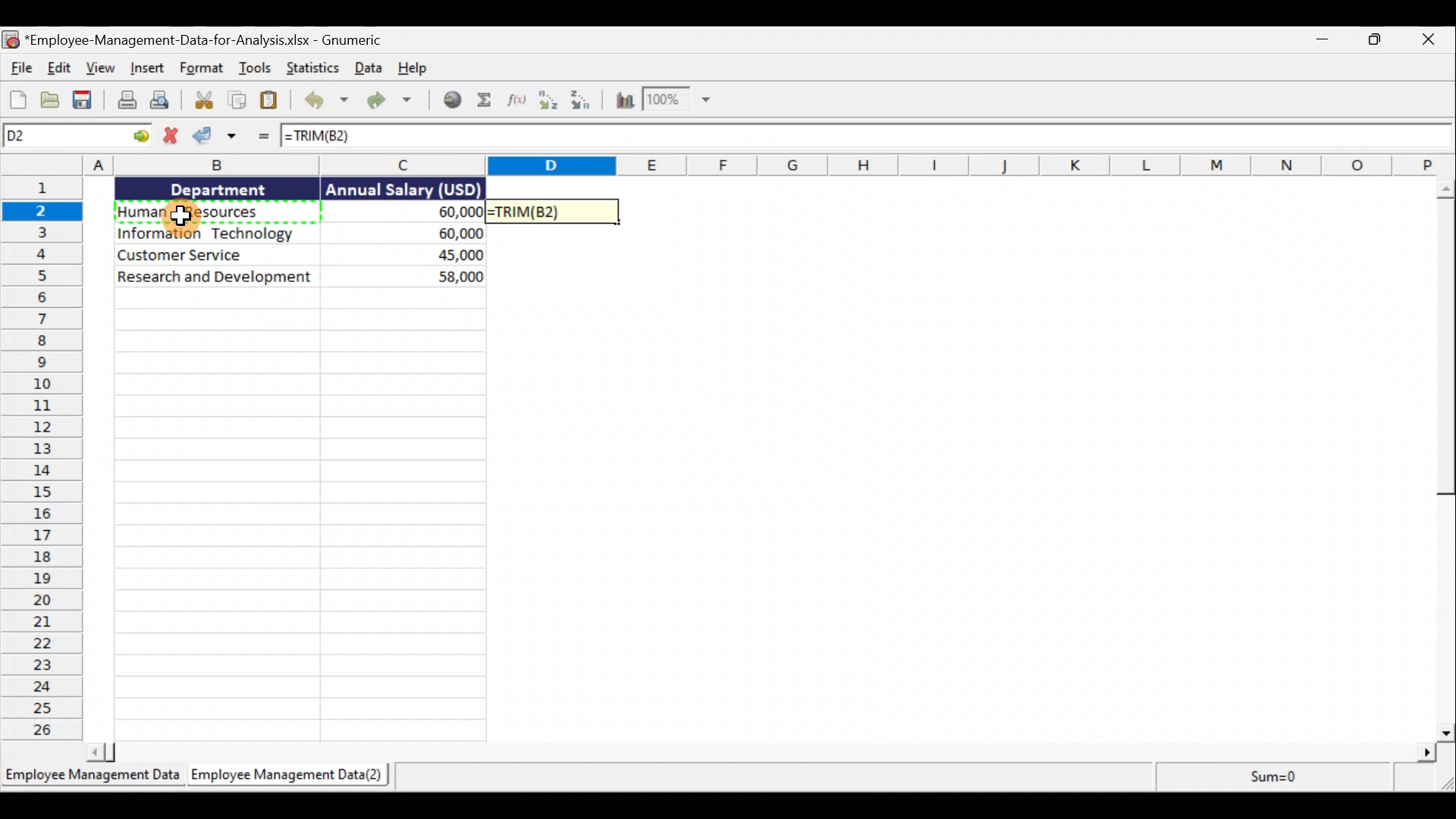 The width and height of the screenshot is (1456, 819). What do you see at coordinates (318, 138) in the screenshot?
I see `=TRIM(B2` at bounding box center [318, 138].